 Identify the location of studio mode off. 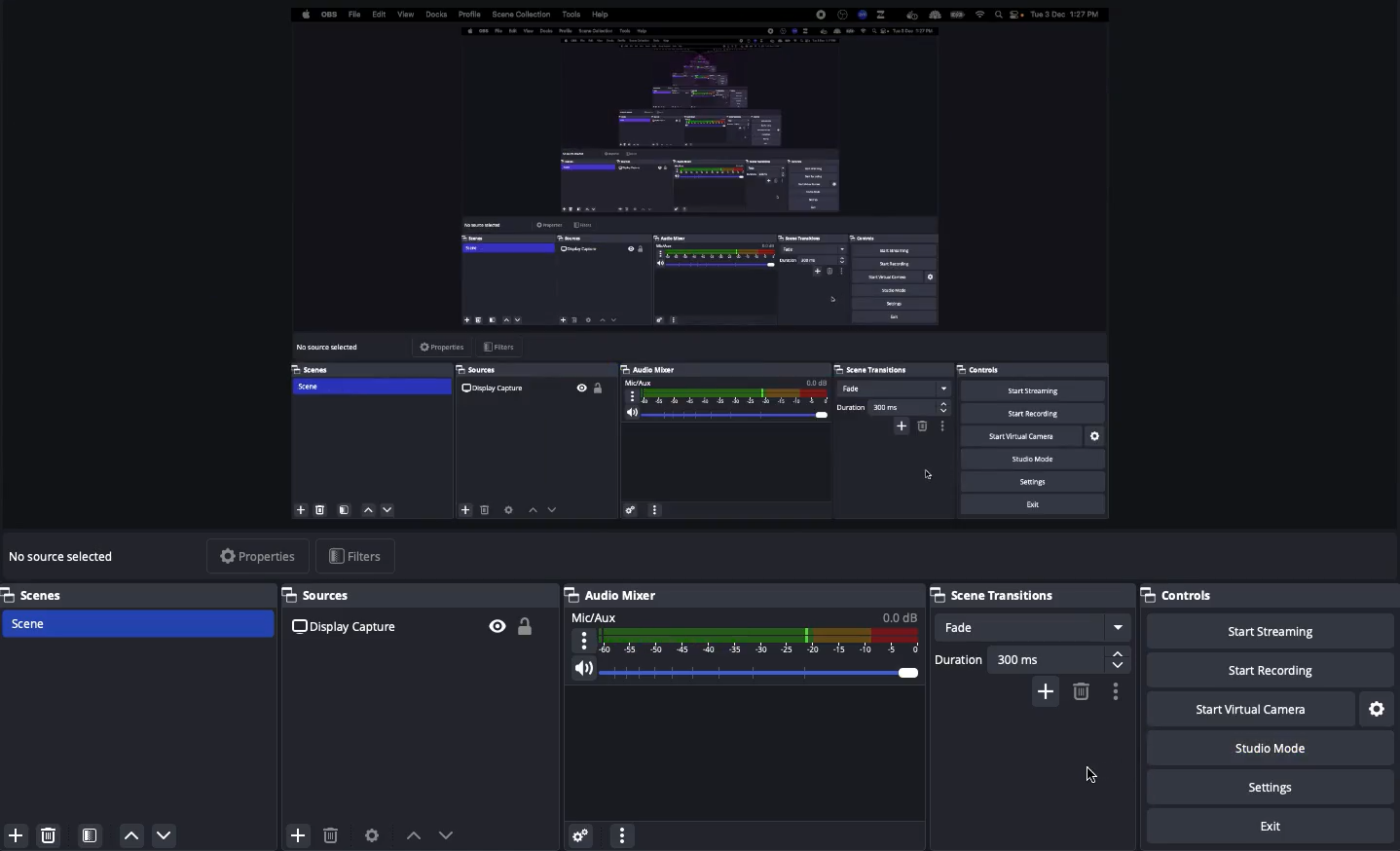
(696, 267).